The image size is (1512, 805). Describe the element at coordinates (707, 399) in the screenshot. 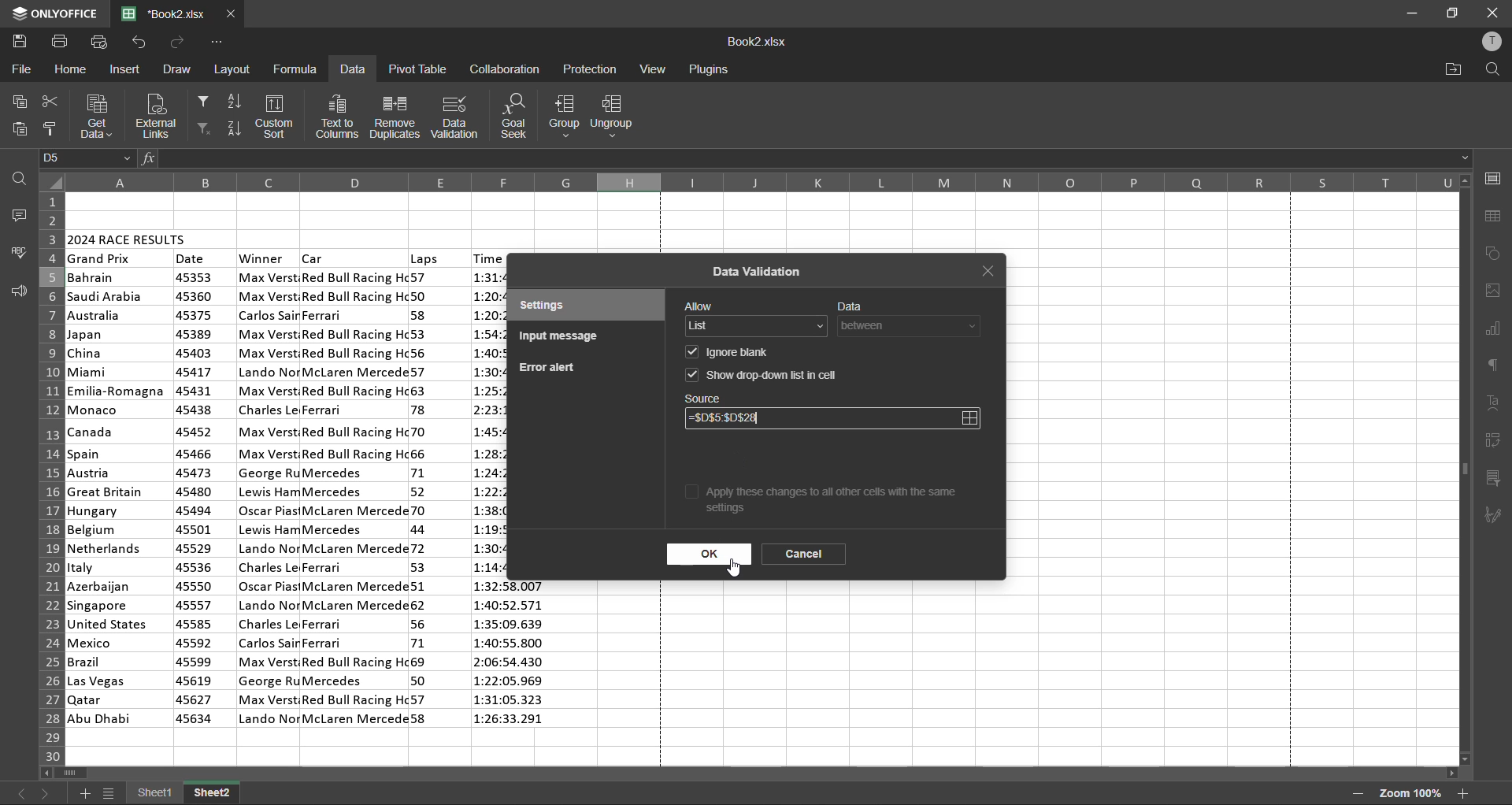

I see `source` at that location.